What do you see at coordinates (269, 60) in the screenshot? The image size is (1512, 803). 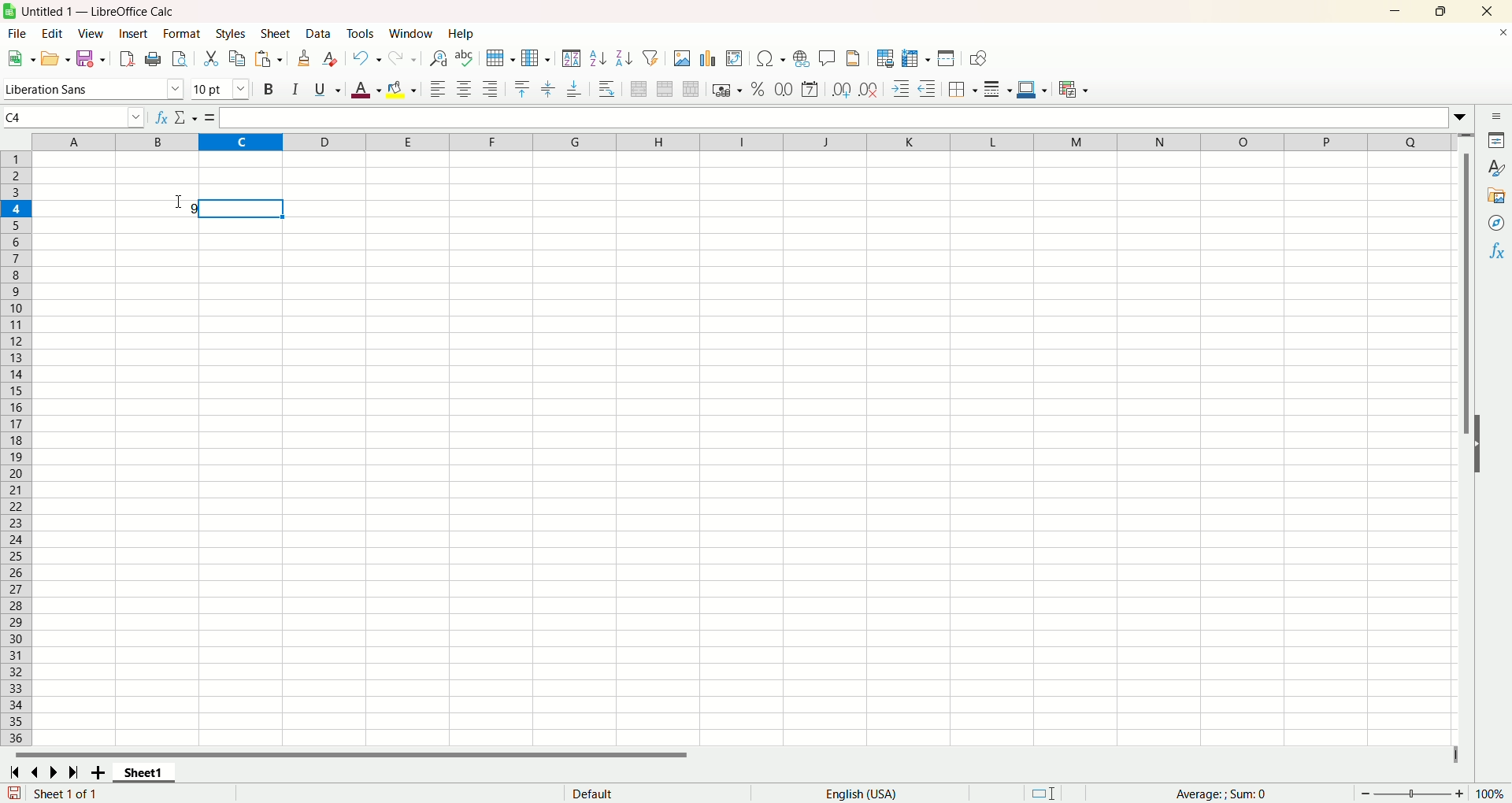 I see `paste` at bounding box center [269, 60].